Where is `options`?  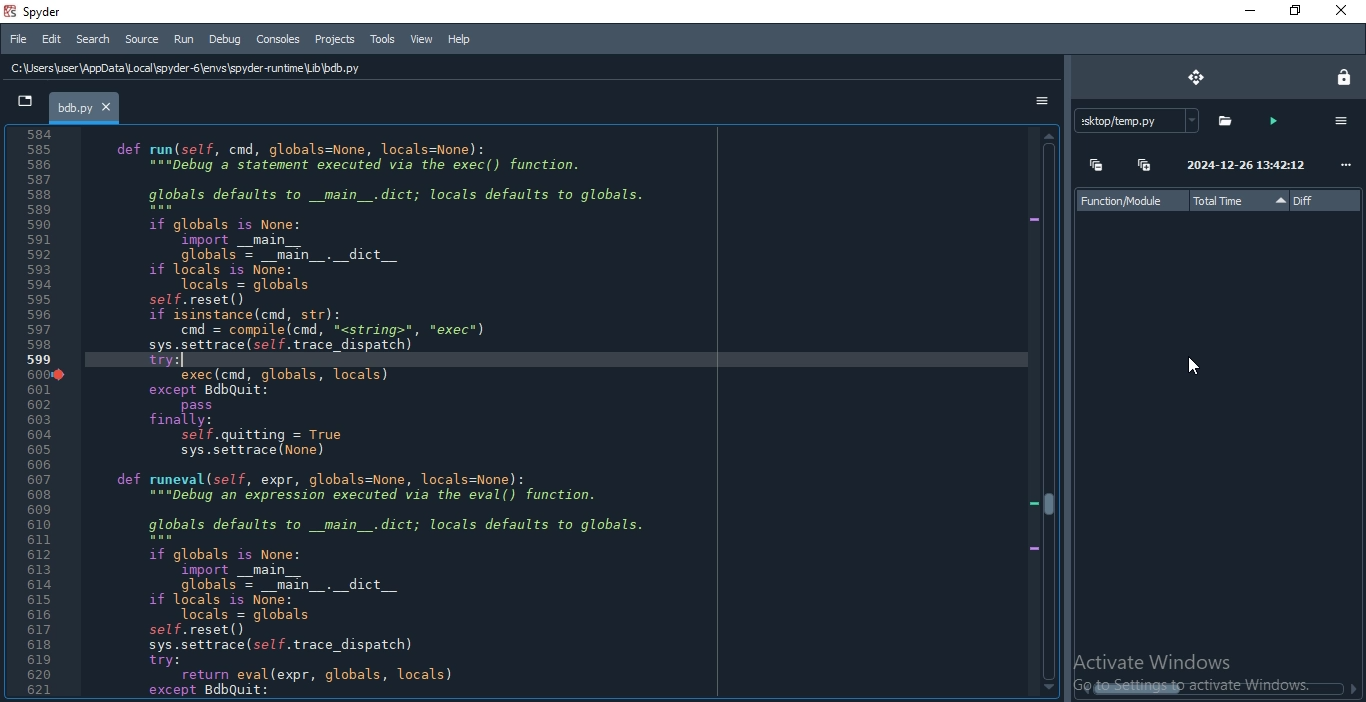 options is located at coordinates (1342, 123).